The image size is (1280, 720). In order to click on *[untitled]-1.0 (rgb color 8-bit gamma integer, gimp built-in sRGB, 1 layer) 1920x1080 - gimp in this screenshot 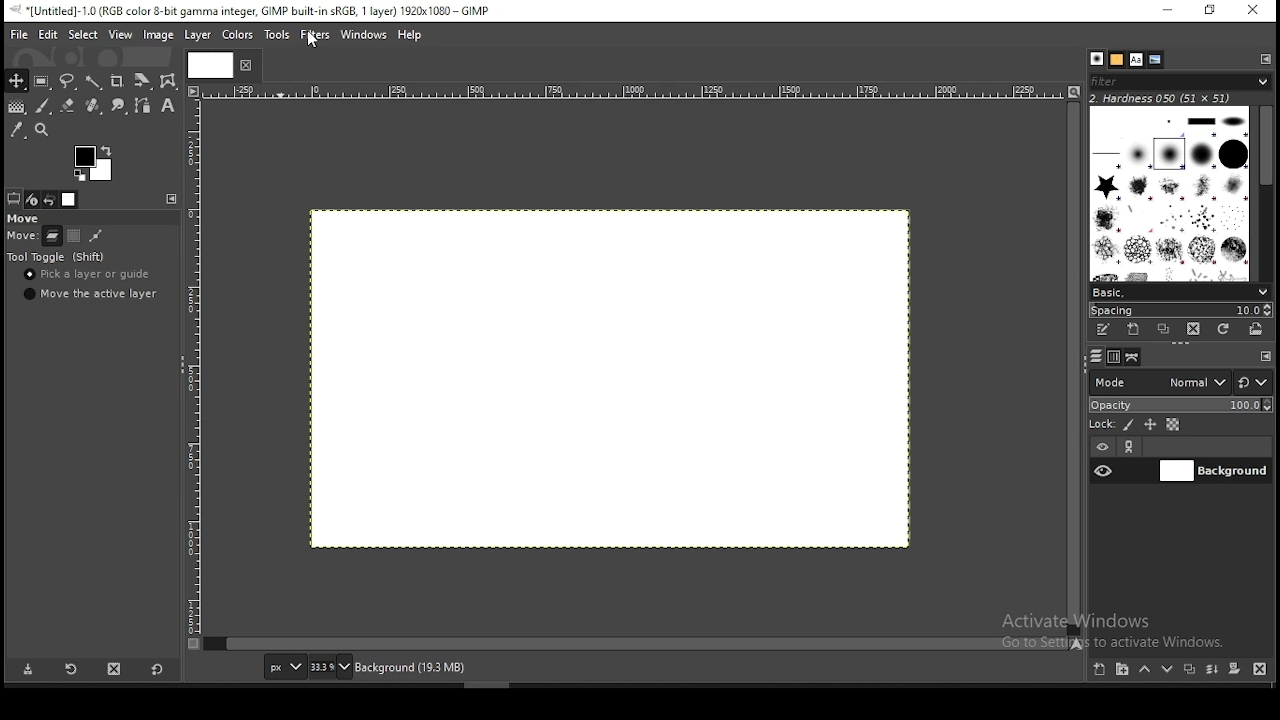, I will do `click(255, 11)`.